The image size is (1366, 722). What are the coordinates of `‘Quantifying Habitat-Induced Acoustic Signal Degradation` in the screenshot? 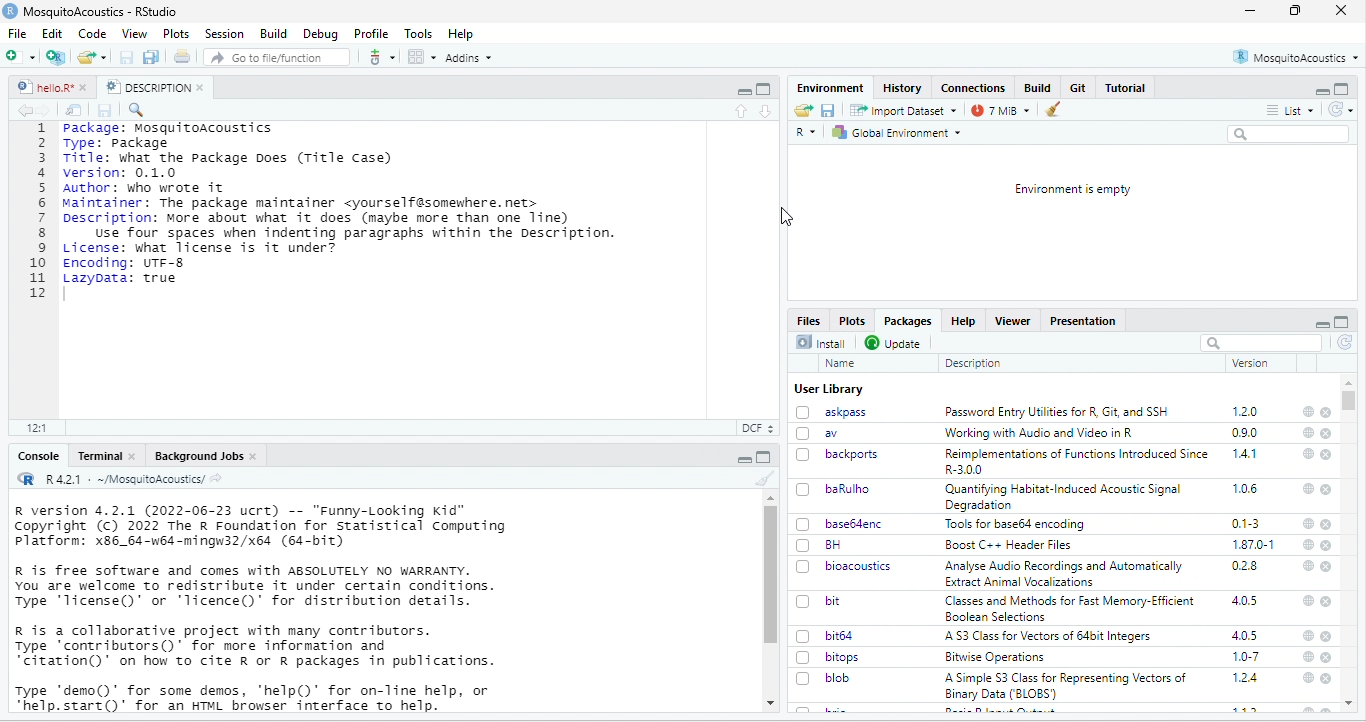 It's located at (1066, 497).